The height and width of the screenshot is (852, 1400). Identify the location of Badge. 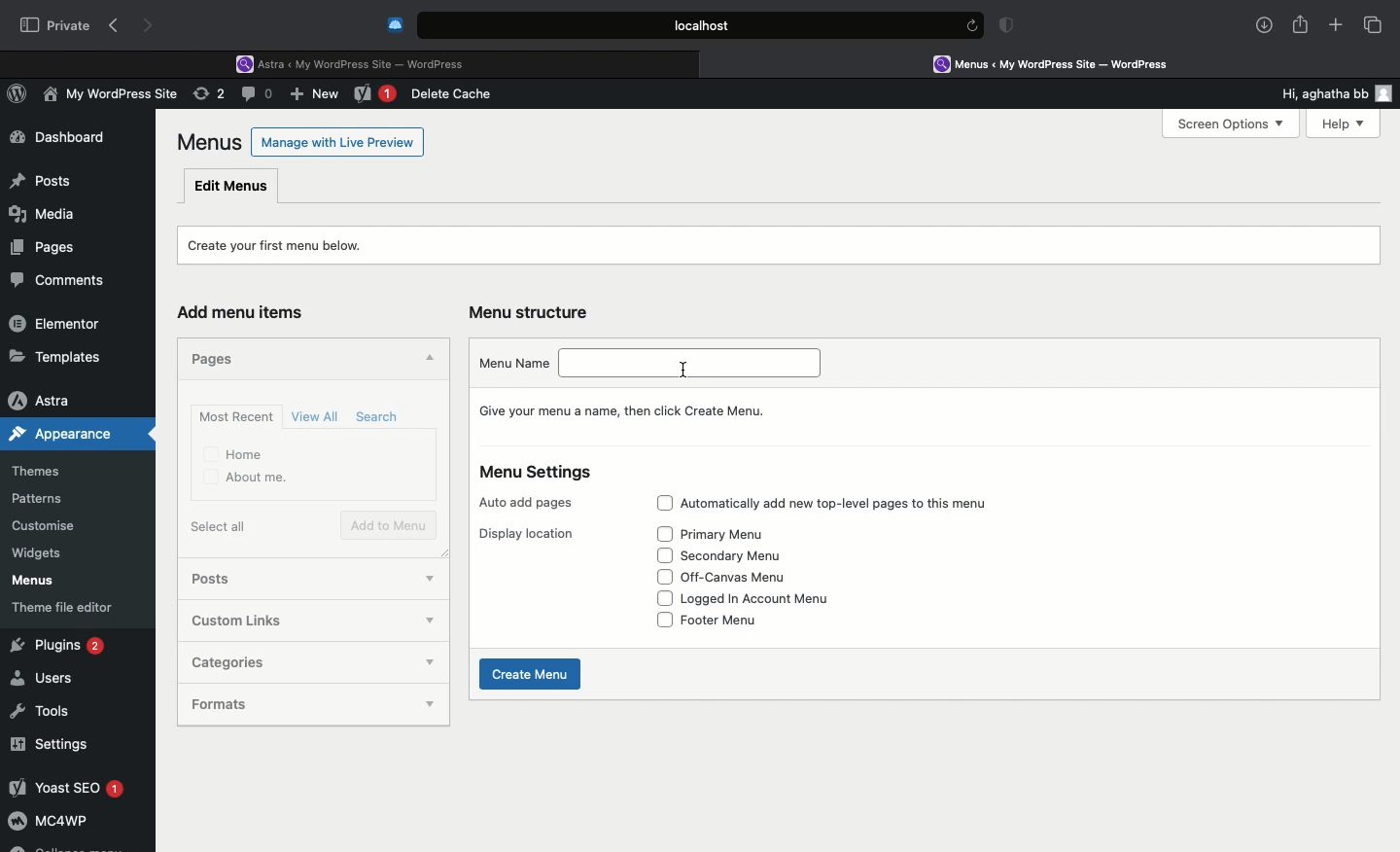
(1010, 27).